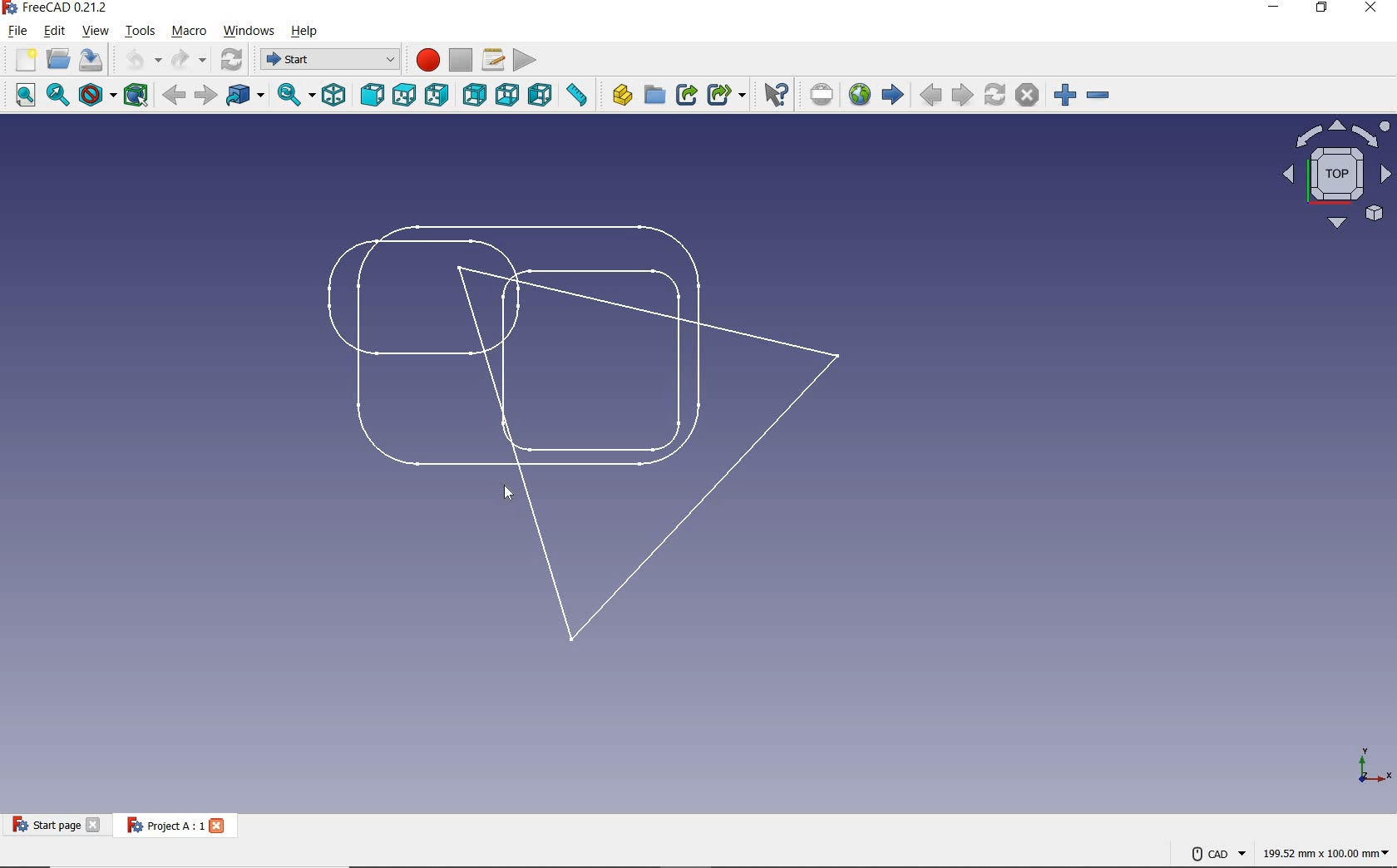 The height and width of the screenshot is (868, 1397). I want to click on VIEW, so click(93, 31).